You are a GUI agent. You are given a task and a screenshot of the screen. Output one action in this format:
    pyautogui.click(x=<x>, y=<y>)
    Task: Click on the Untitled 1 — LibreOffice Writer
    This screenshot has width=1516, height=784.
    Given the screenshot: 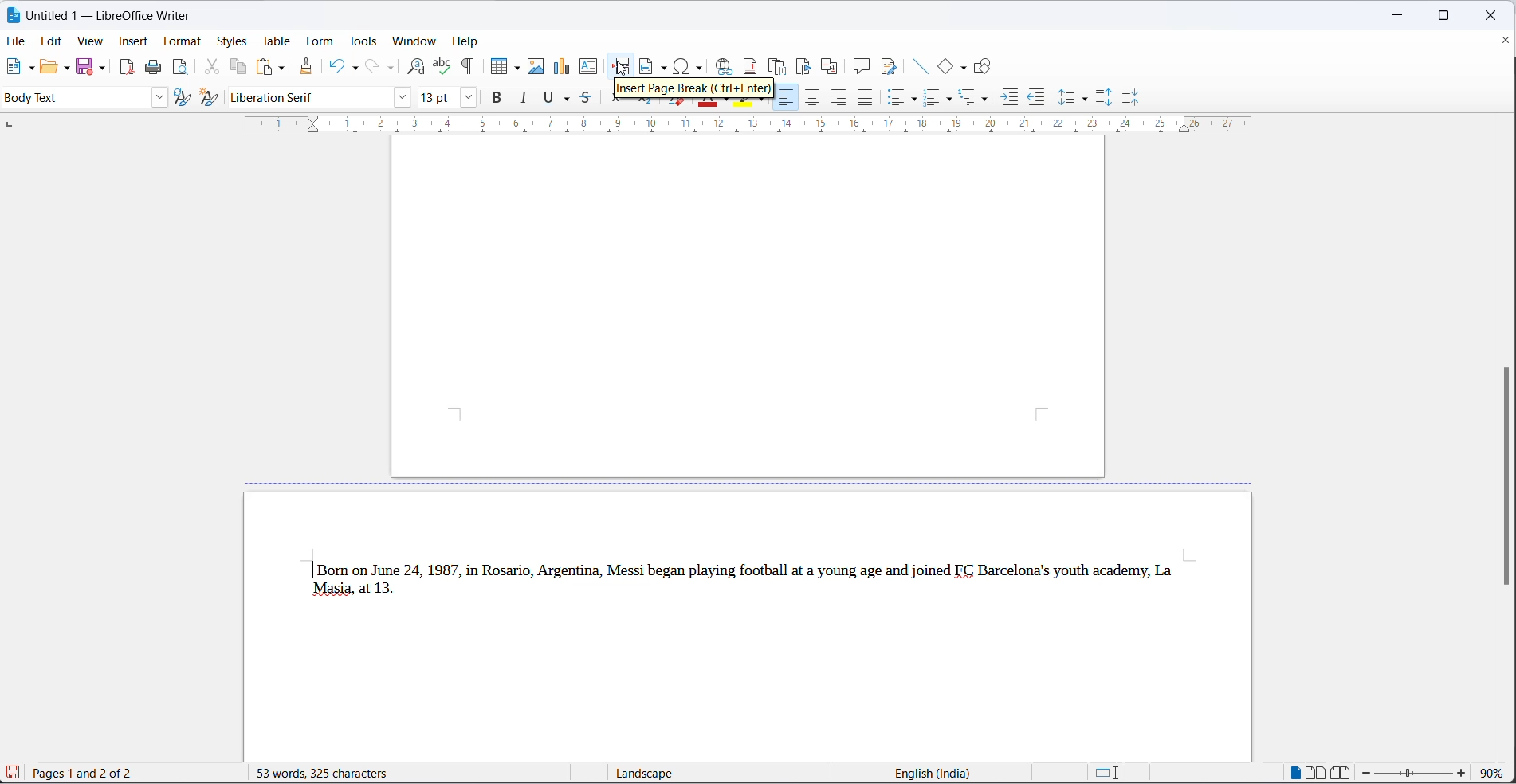 What is the action you would take?
    pyautogui.click(x=119, y=14)
    